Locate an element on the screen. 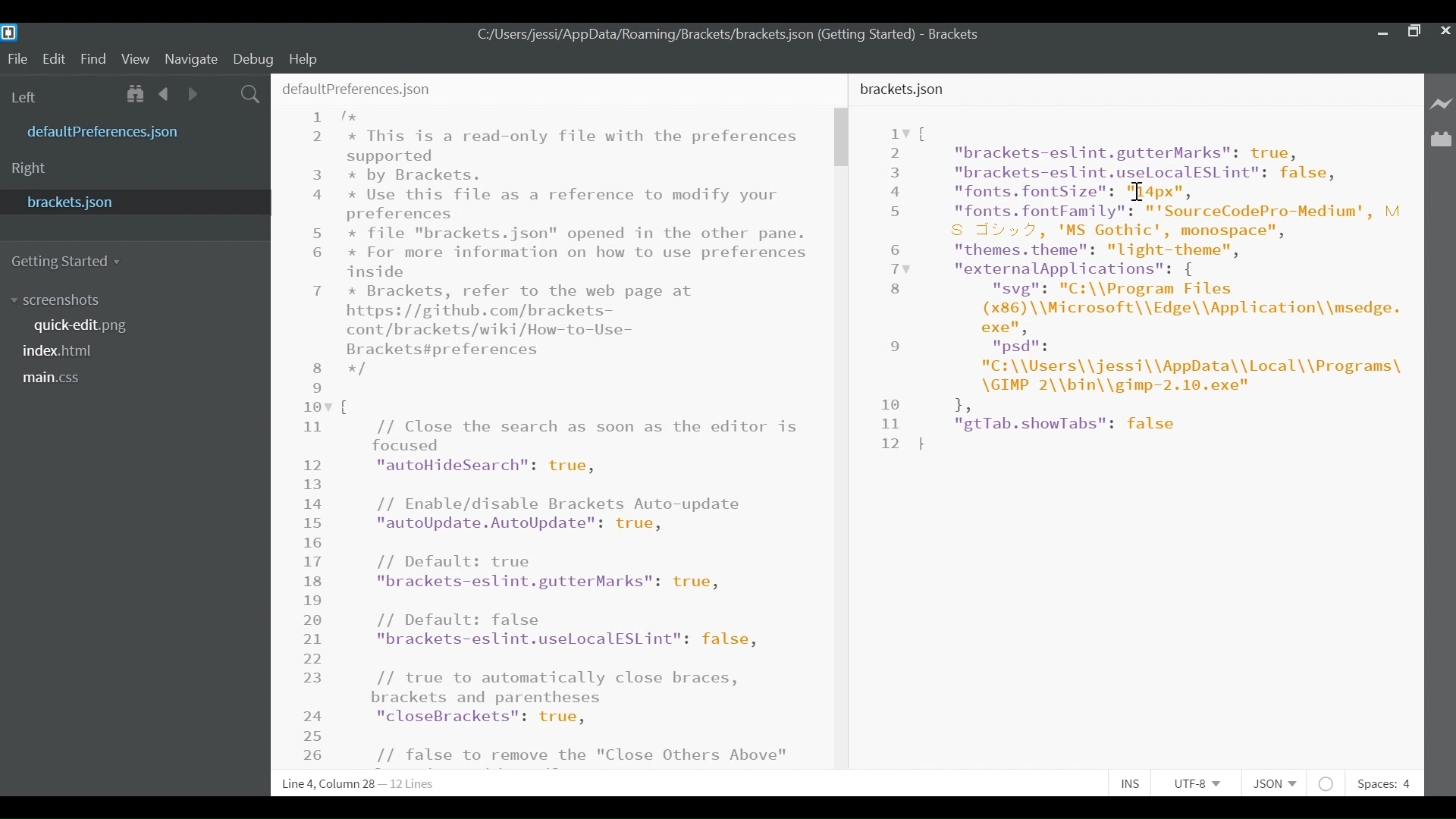 The height and width of the screenshot is (819, 1456). Help is located at coordinates (303, 58).